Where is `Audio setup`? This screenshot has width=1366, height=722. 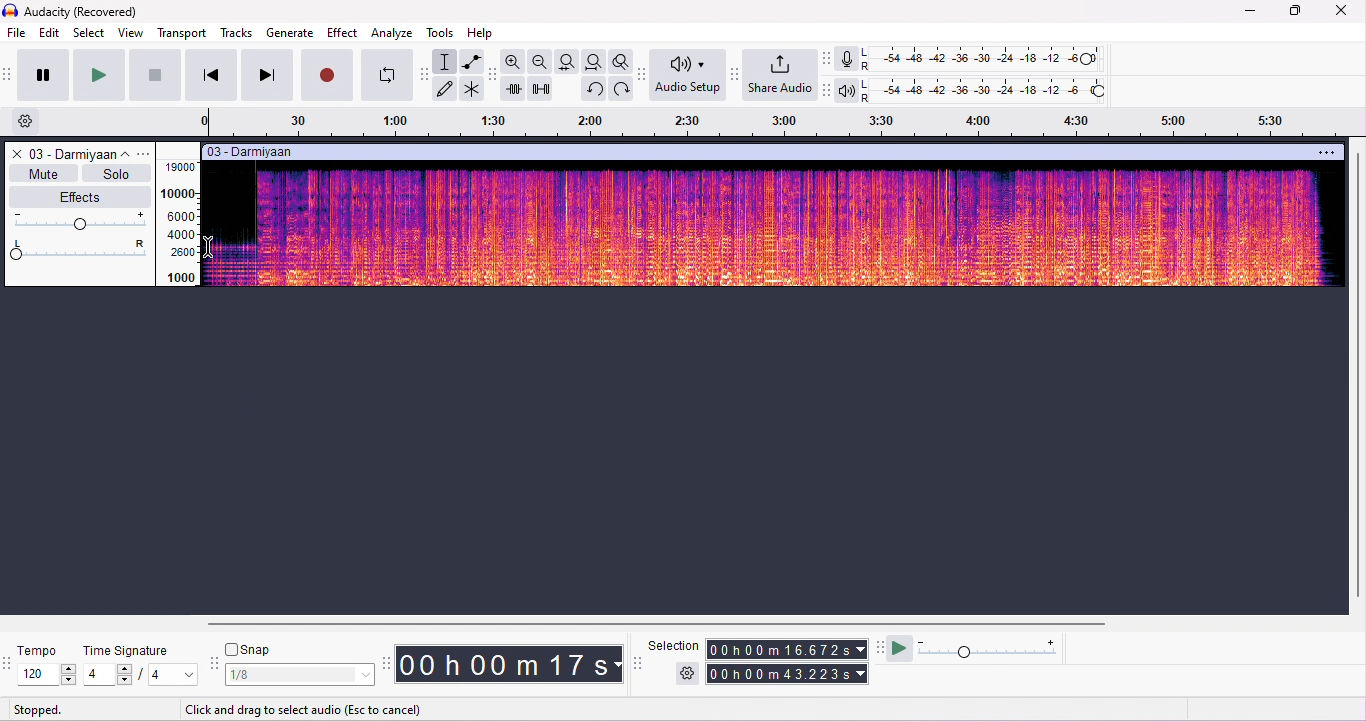
Audio setup is located at coordinates (687, 75).